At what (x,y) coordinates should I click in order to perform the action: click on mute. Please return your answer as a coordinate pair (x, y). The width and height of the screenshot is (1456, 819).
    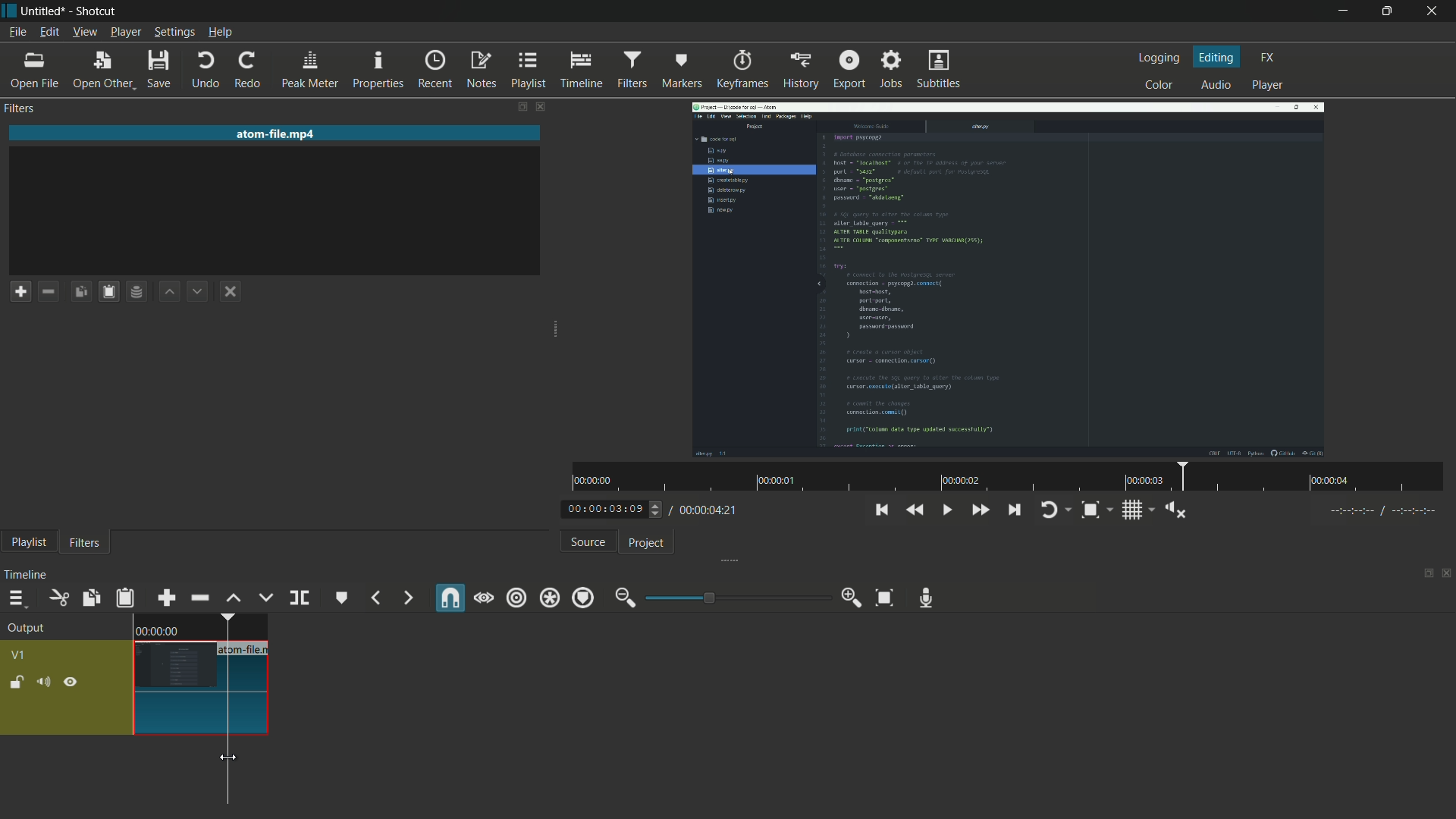
    Looking at the image, I should click on (43, 682).